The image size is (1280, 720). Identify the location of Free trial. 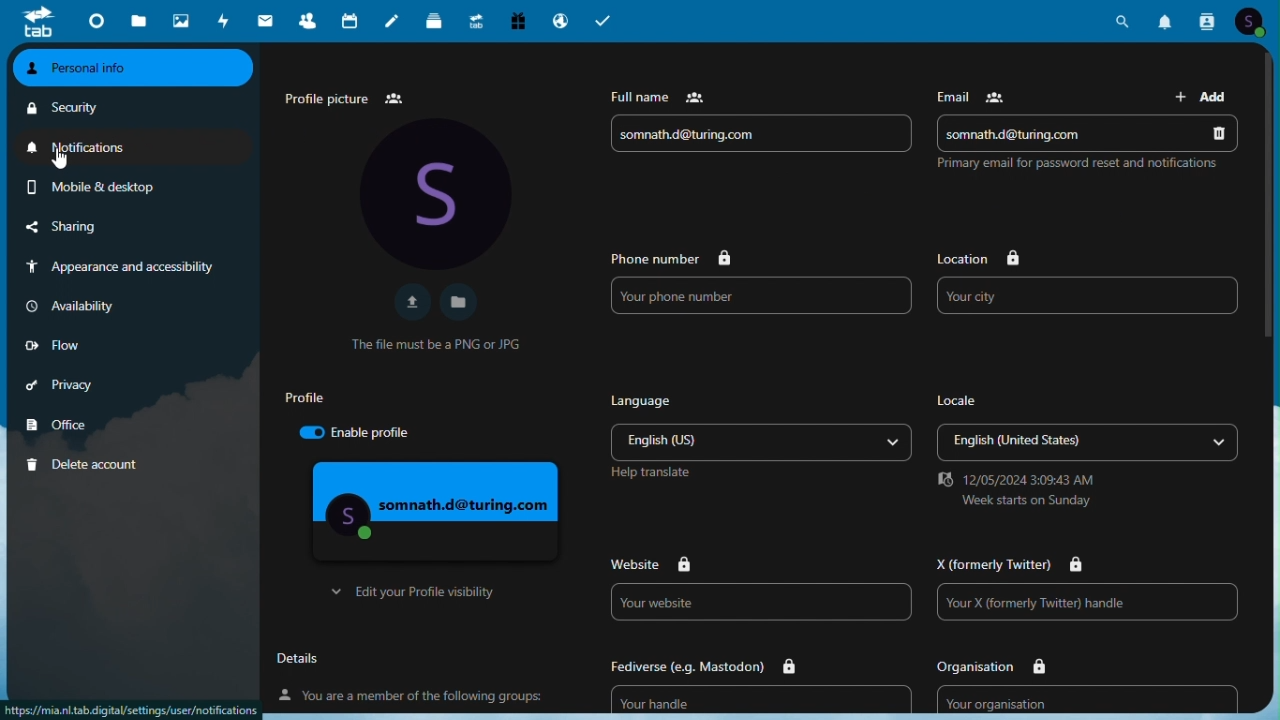
(517, 20).